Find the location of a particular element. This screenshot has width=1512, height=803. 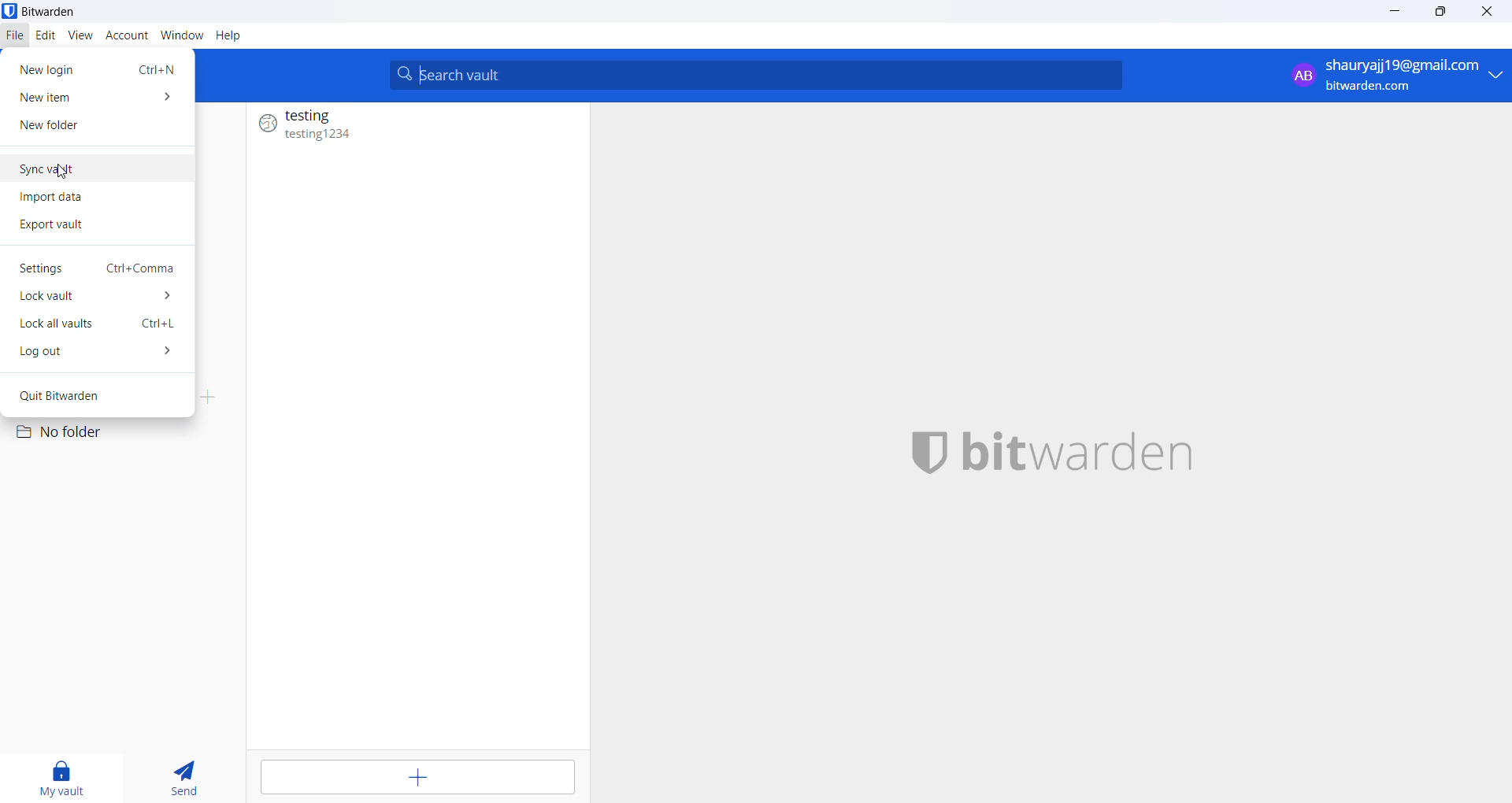

settings is located at coordinates (106, 267).